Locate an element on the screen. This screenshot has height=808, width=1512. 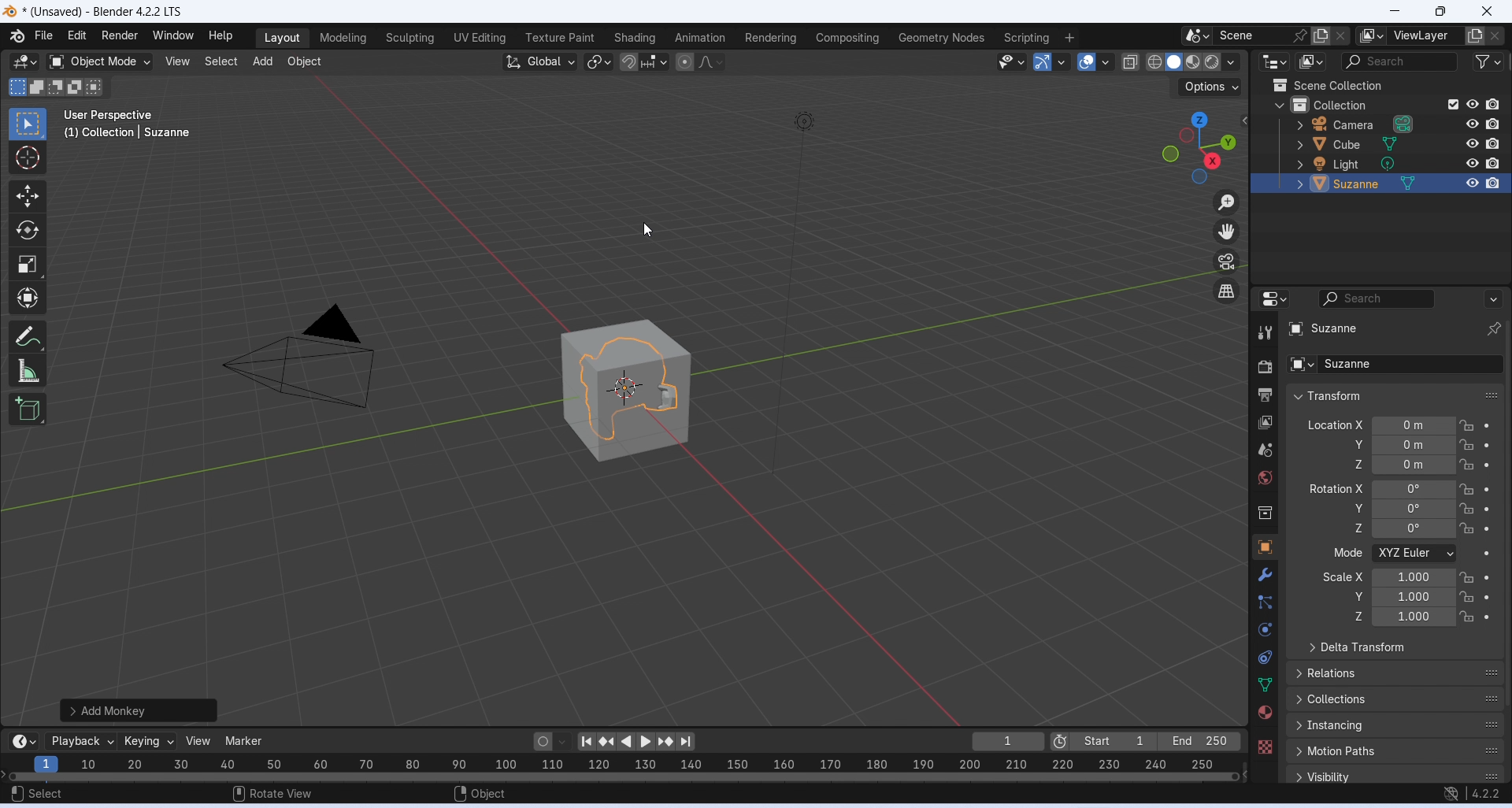
tool is located at coordinates (1266, 333).